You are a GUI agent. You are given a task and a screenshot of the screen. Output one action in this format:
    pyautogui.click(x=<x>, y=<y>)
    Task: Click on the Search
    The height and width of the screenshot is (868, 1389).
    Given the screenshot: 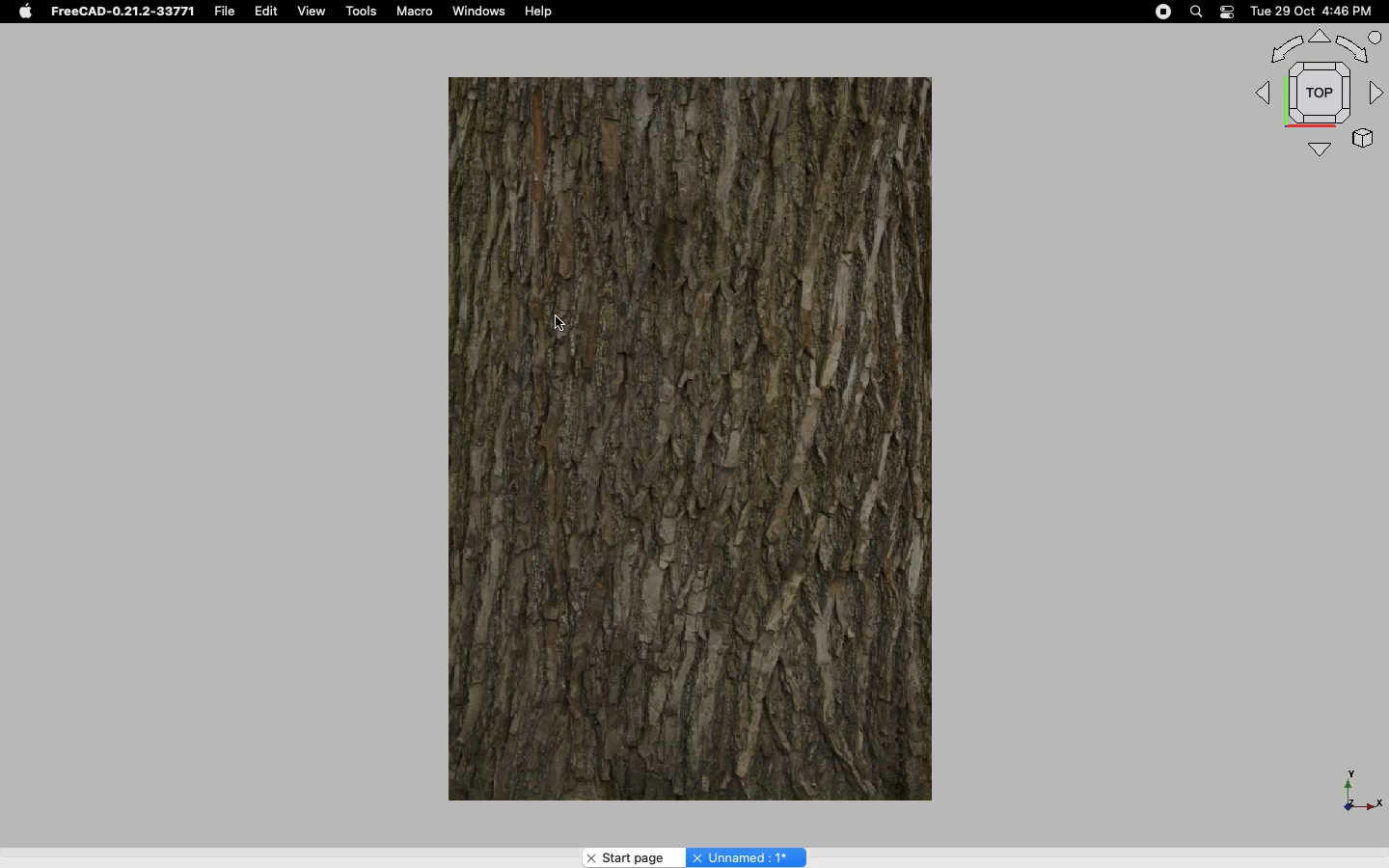 What is the action you would take?
    pyautogui.click(x=1197, y=12)
    